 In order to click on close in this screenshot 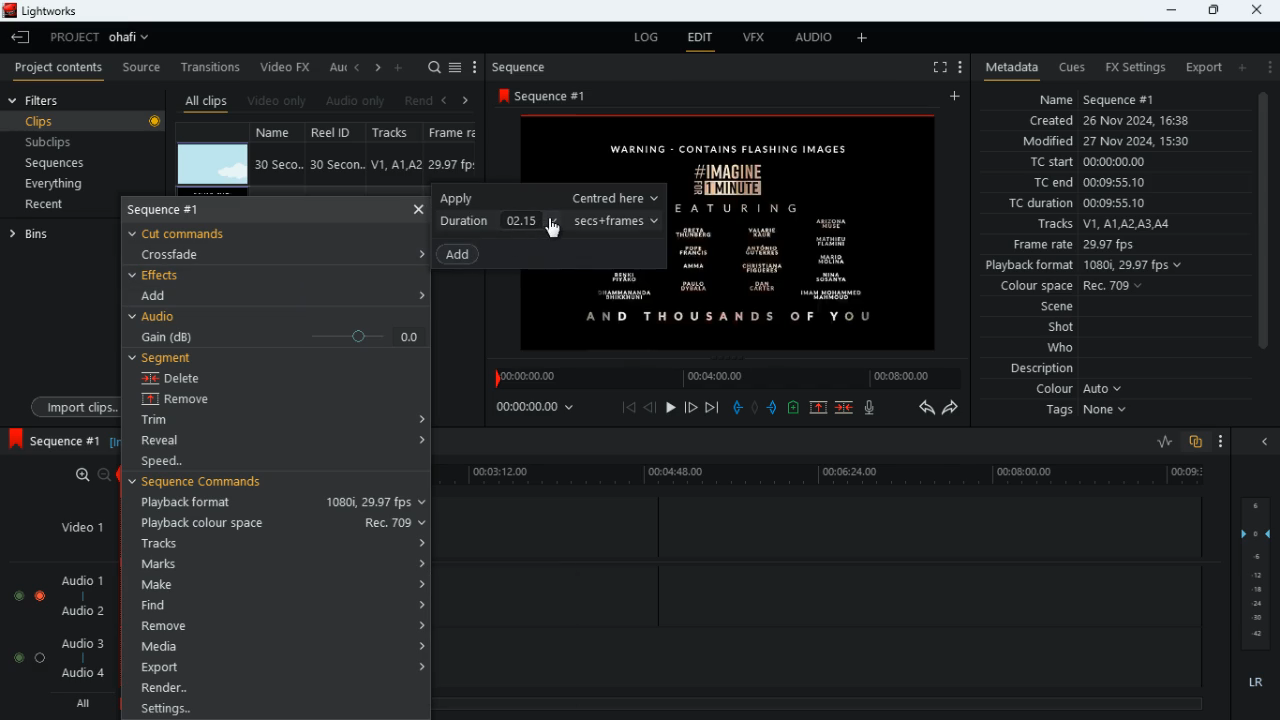, I will do `click(1259, 9)`.